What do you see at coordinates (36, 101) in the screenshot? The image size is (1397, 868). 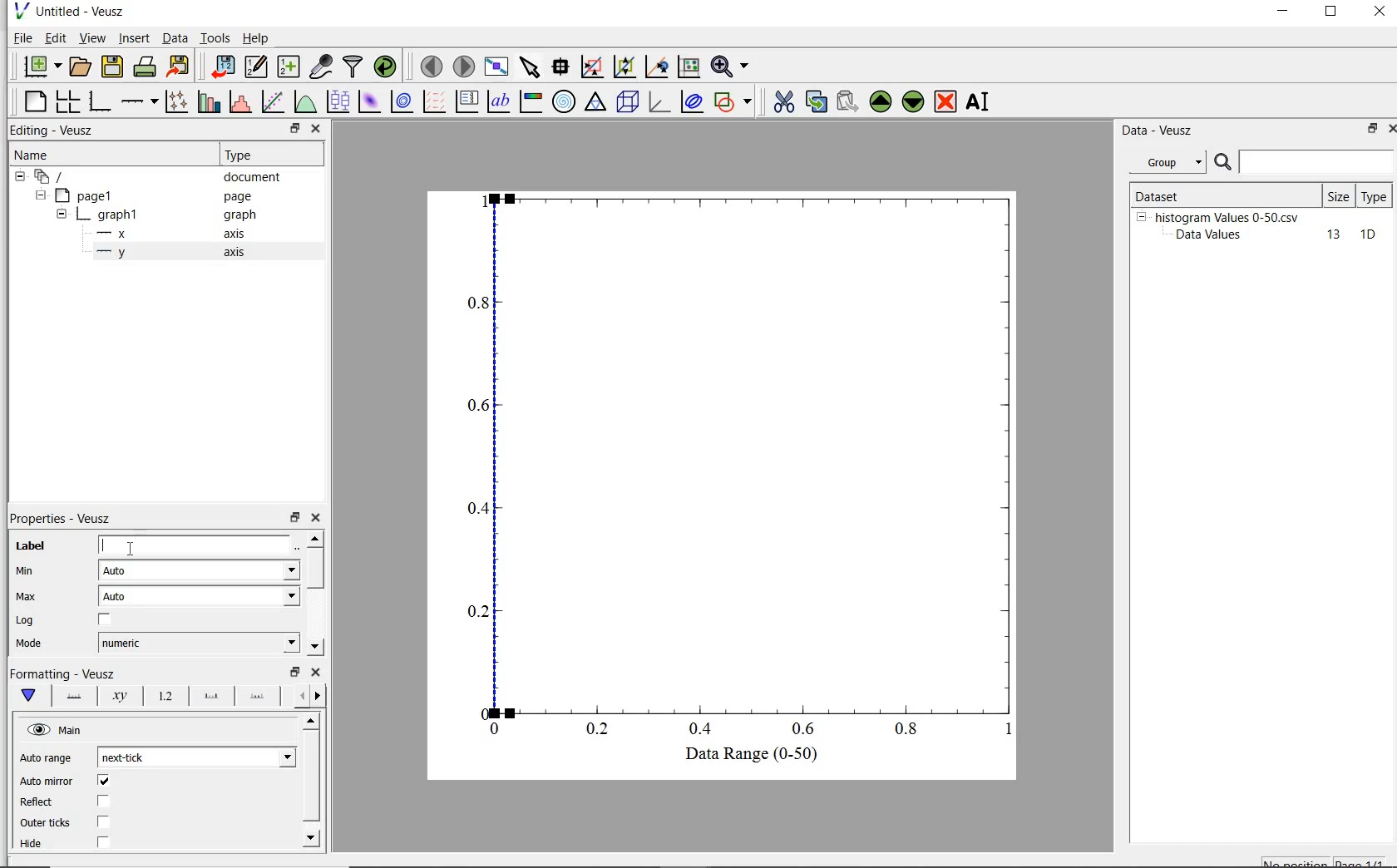 I see `blank page` at bounding box center [36, 101].